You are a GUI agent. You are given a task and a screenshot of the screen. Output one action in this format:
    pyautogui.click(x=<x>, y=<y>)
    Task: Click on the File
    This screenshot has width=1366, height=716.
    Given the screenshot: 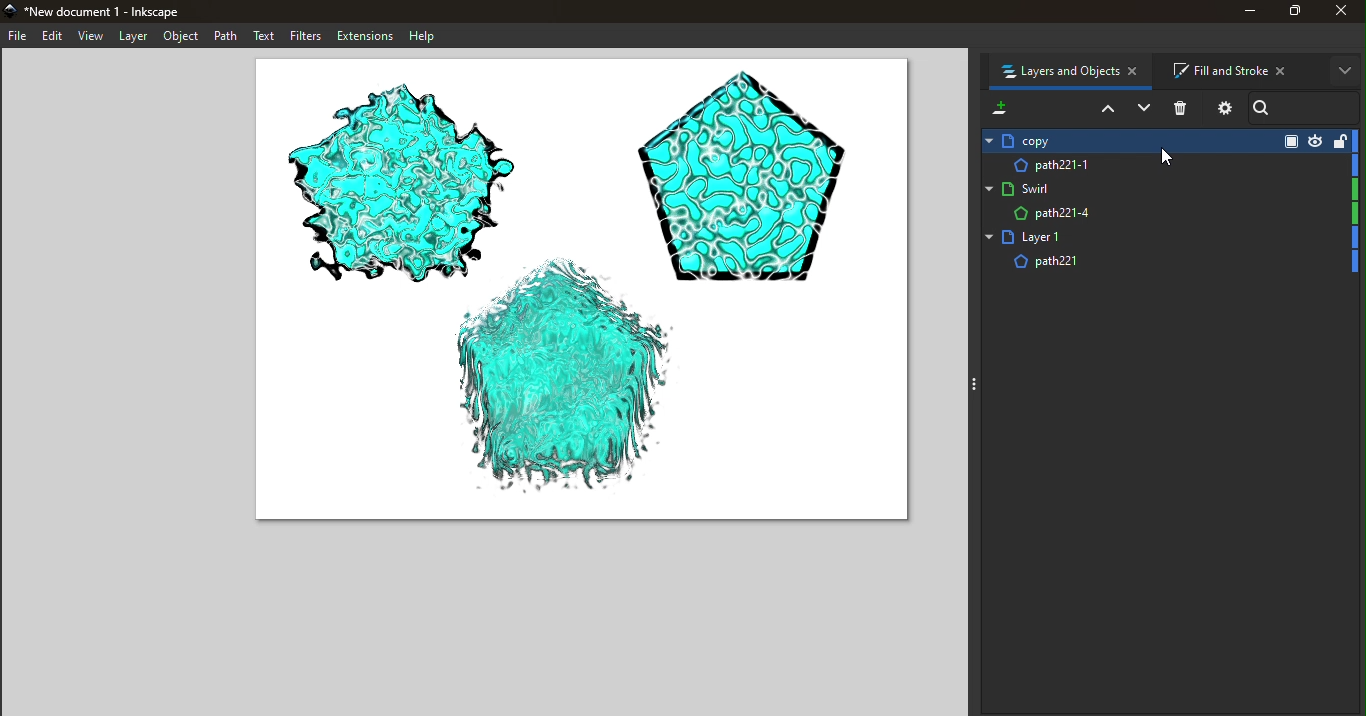 What is the action you would take?
    pyautogui.click(x=20, y=35)
    